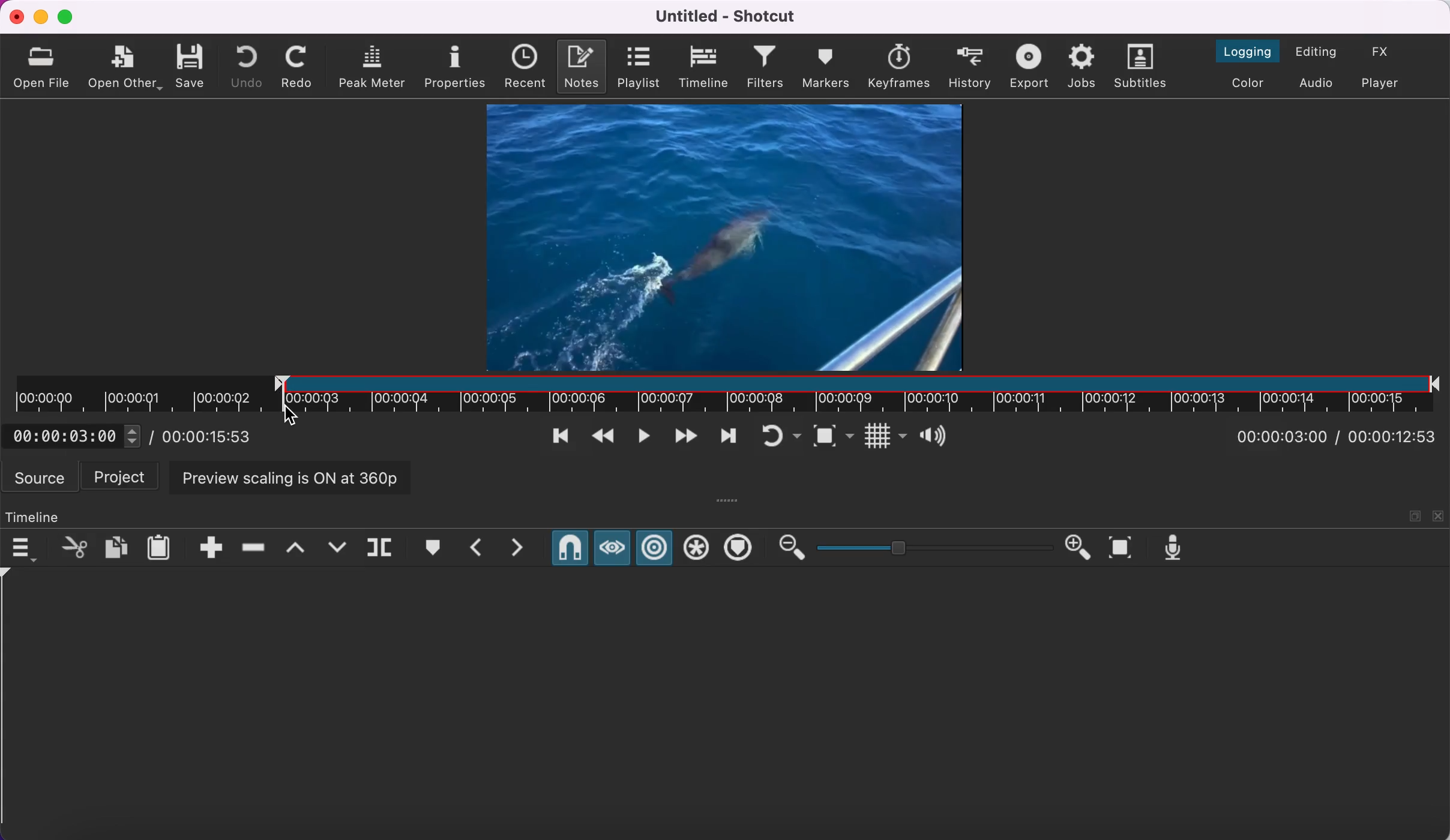  Describe the element at coordinates (161, 547) in the screenshot. I see `paste` at that location.